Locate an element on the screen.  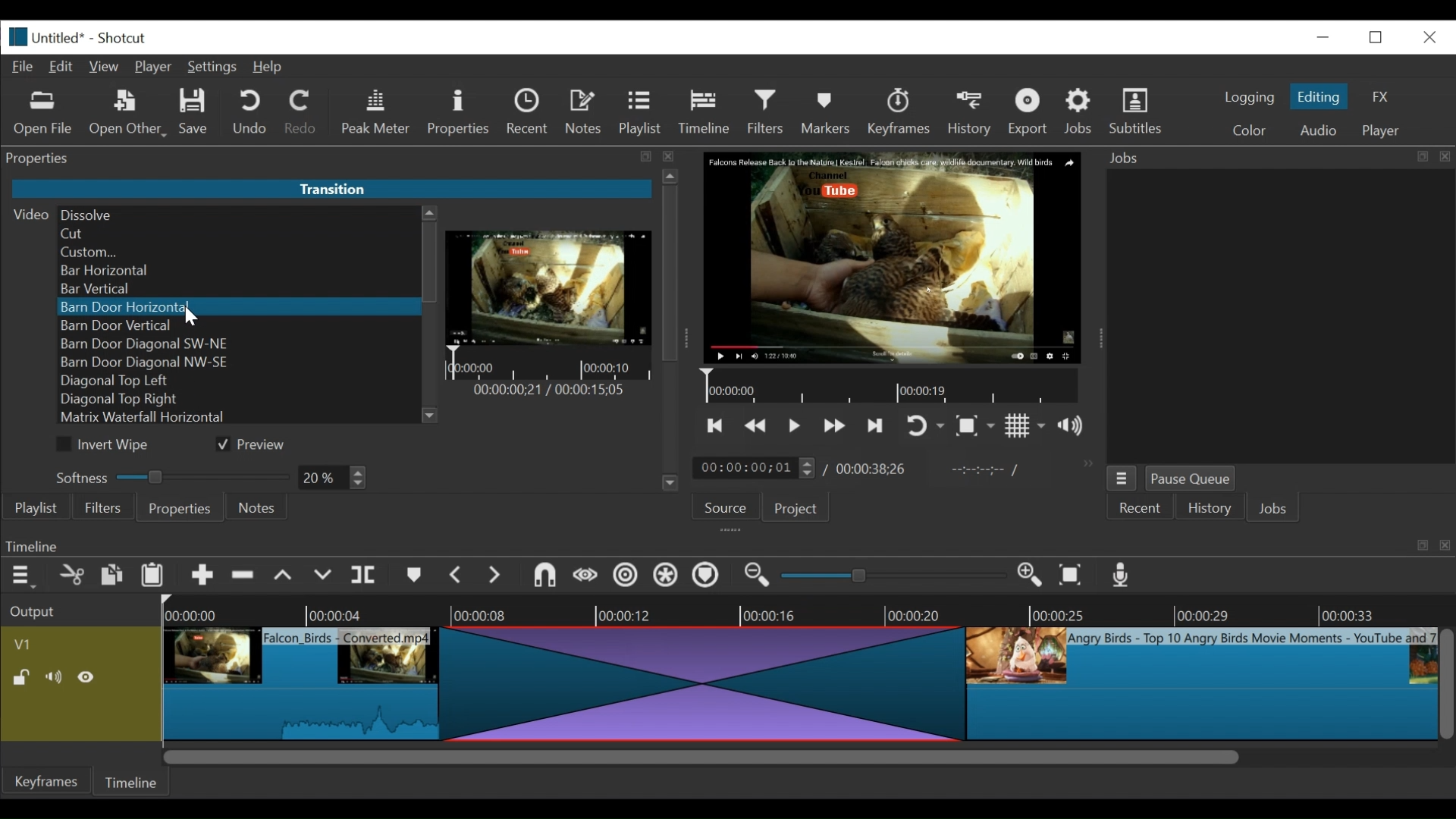
Remove cut is located at coordinates (245, 578).